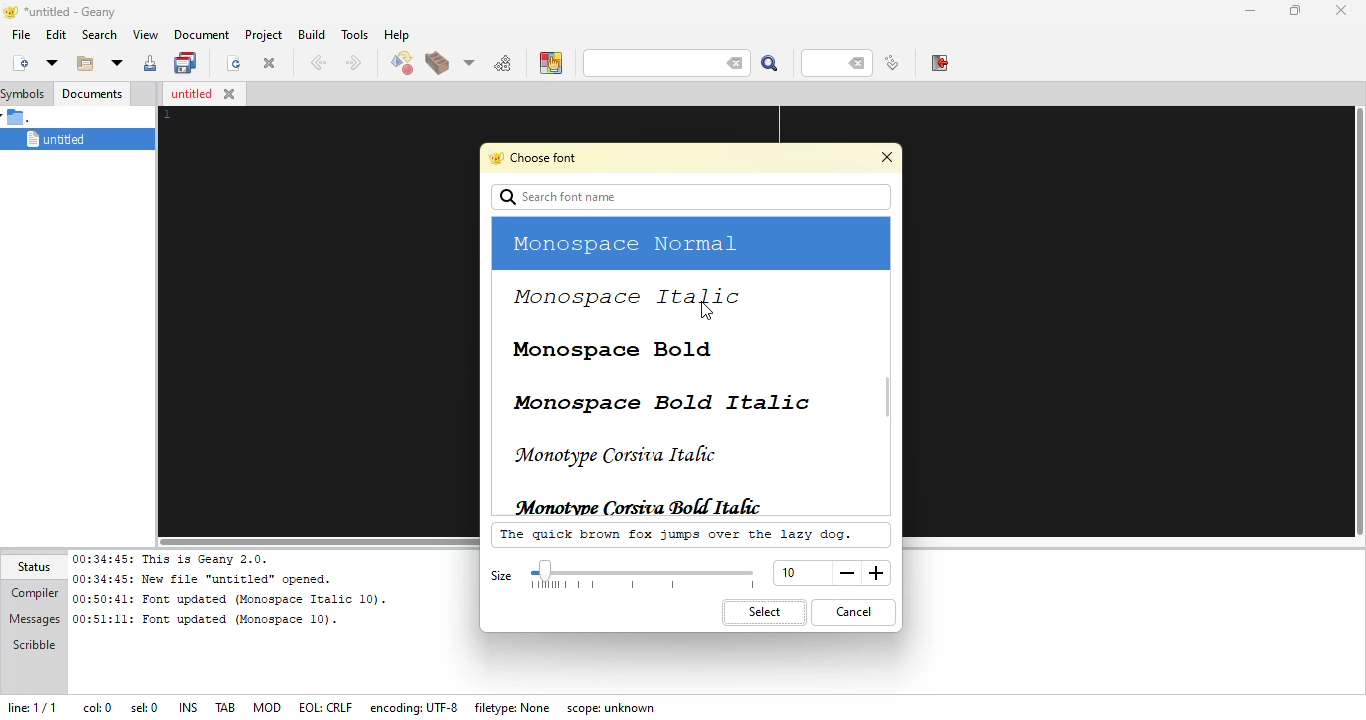  What do you see at coordinates (615, 708) in the screenshot?
I see `scope: unknown` at bounding box center [615, 708].